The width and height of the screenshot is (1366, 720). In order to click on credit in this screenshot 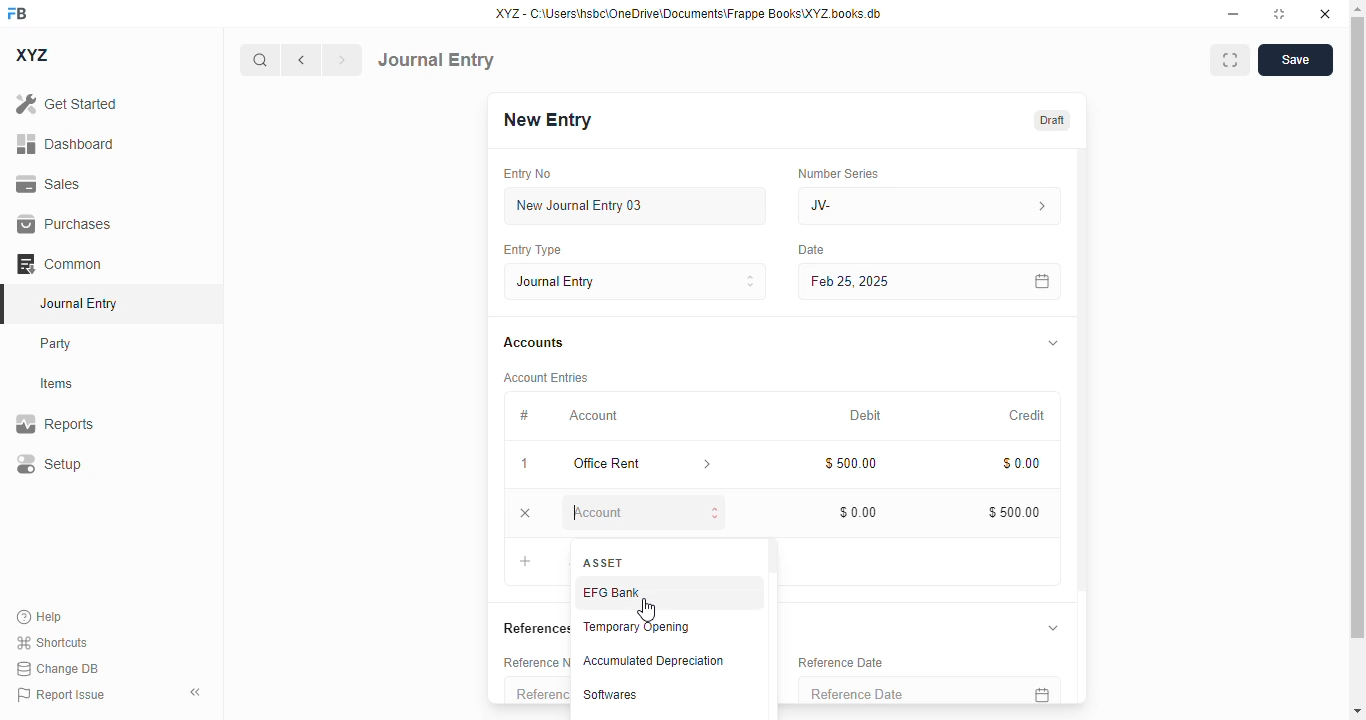, I will do `click(1025, 416)`.